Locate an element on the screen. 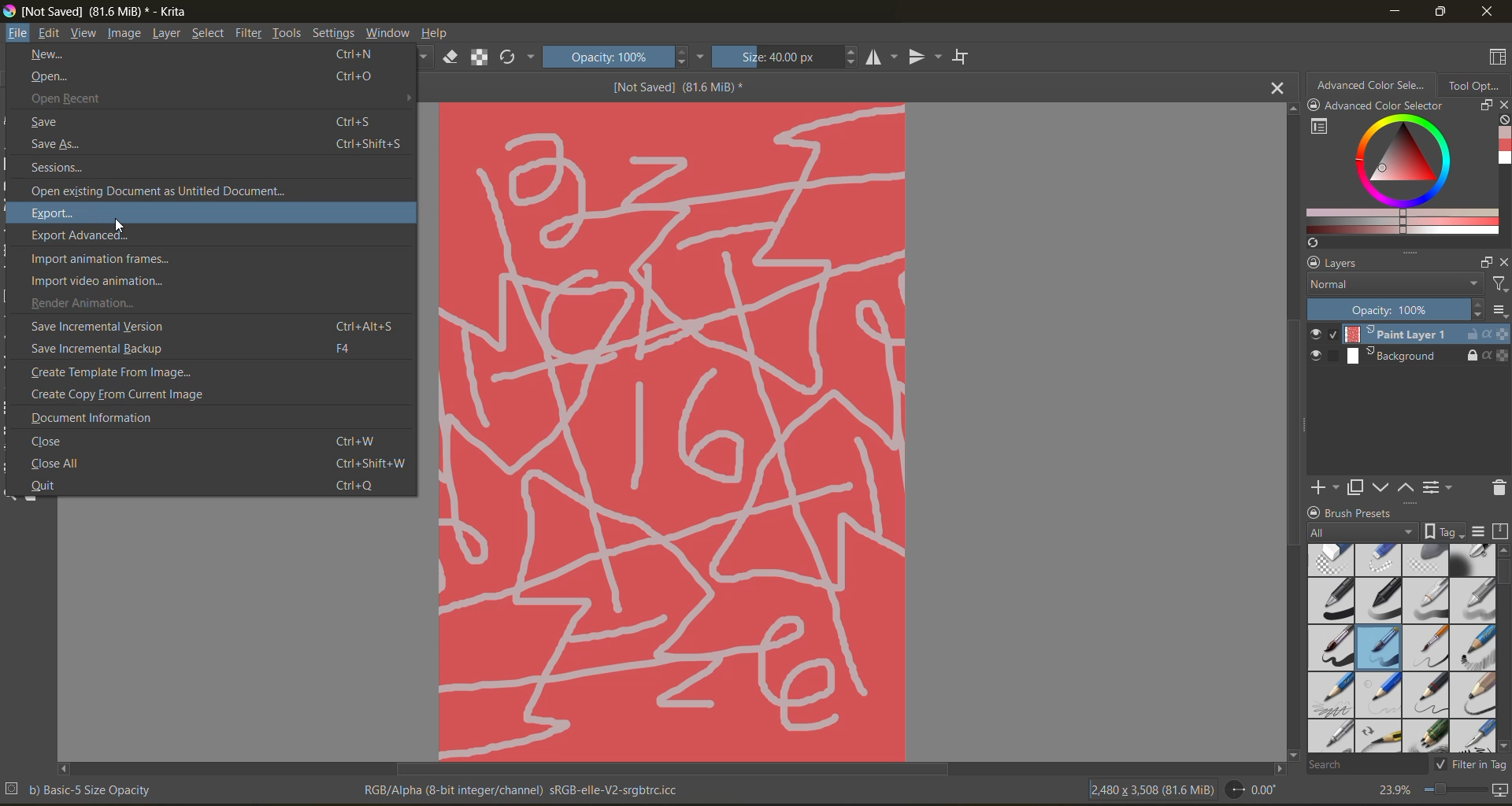  tag is located at coordinates (1363, 533).